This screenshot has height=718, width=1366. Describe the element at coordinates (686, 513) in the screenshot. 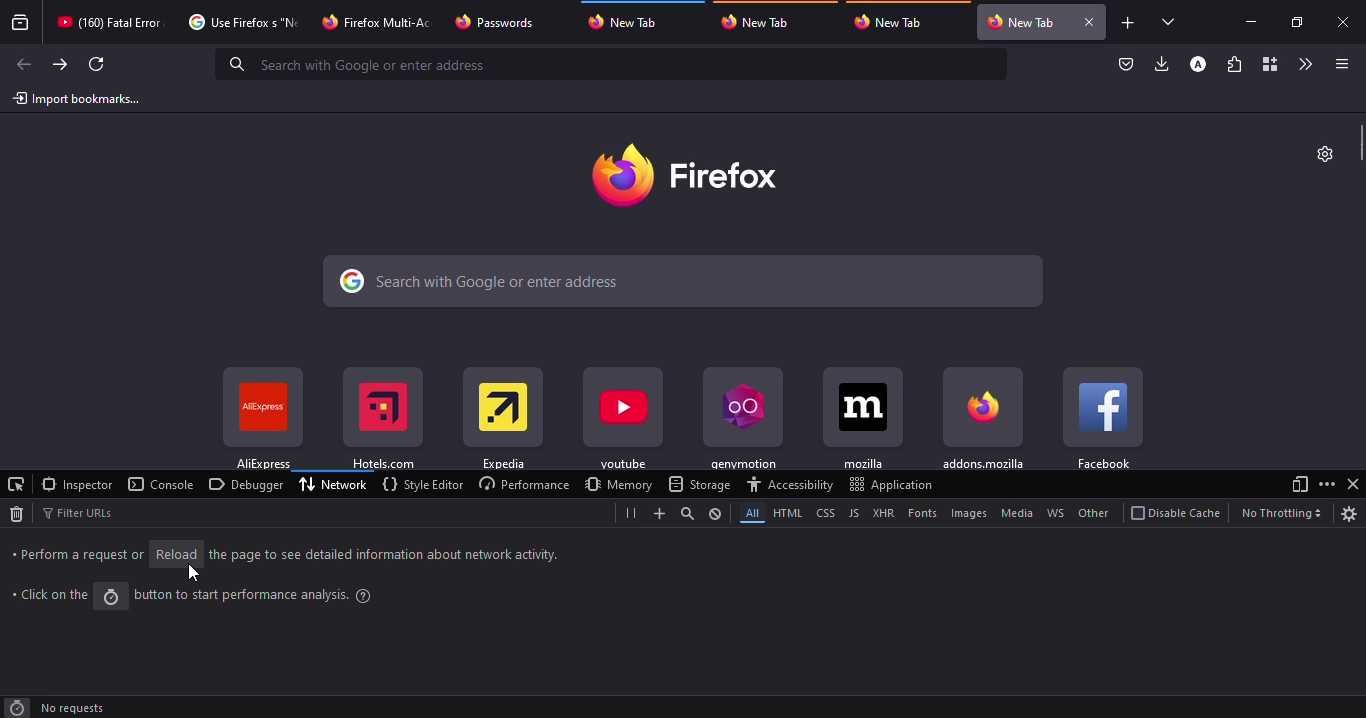

I see `search` at that location.